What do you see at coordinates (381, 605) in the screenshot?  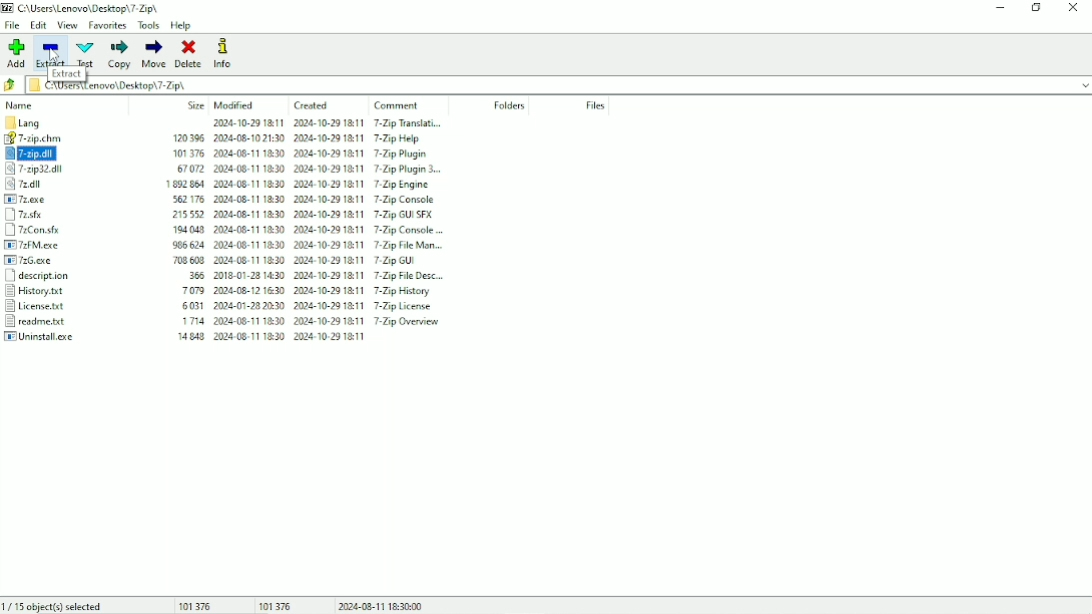 I see `Date and Time` at bounding box center [381, 605].